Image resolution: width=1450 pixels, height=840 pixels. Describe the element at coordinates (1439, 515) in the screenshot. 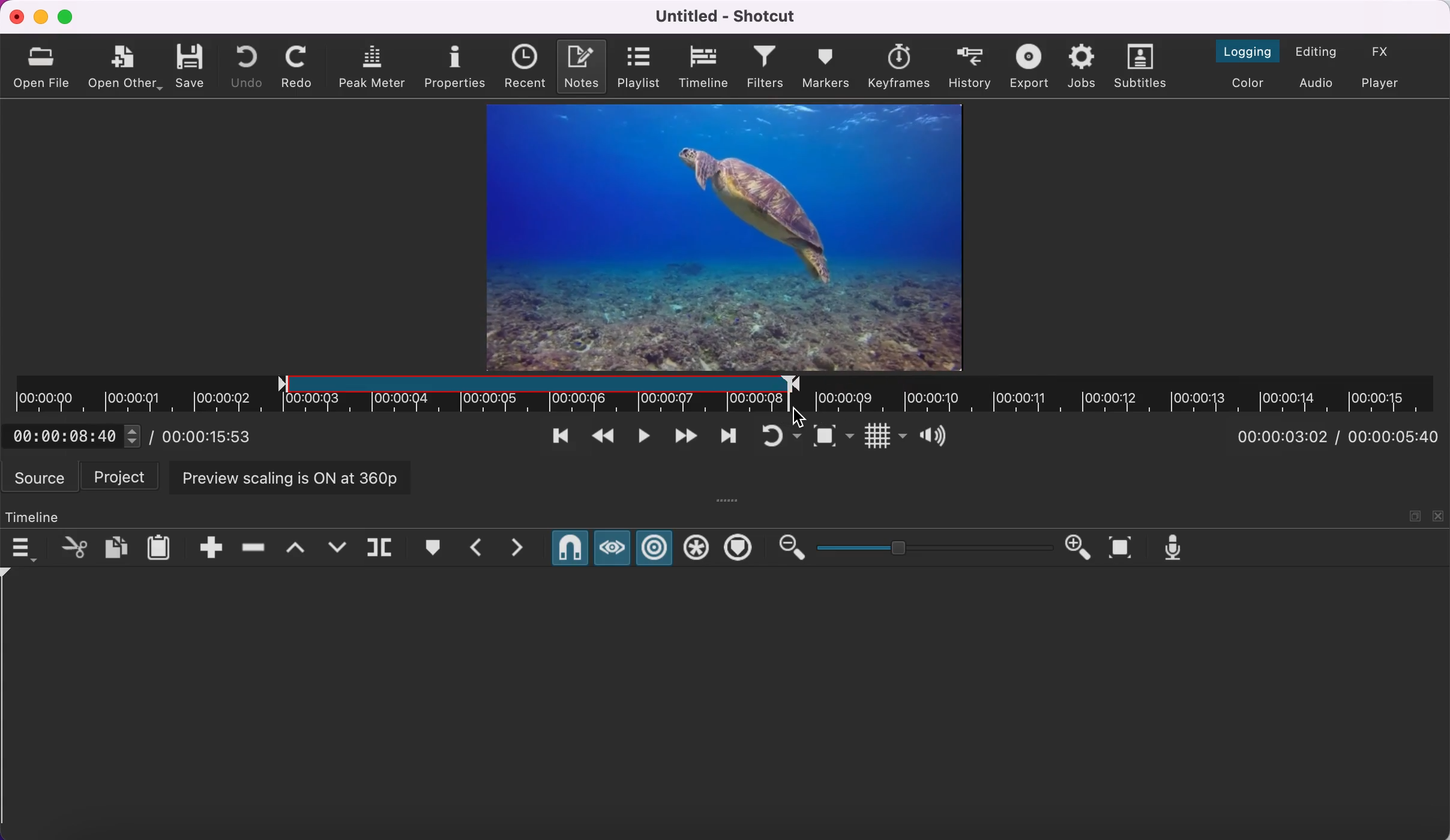

I see `close` at that location.